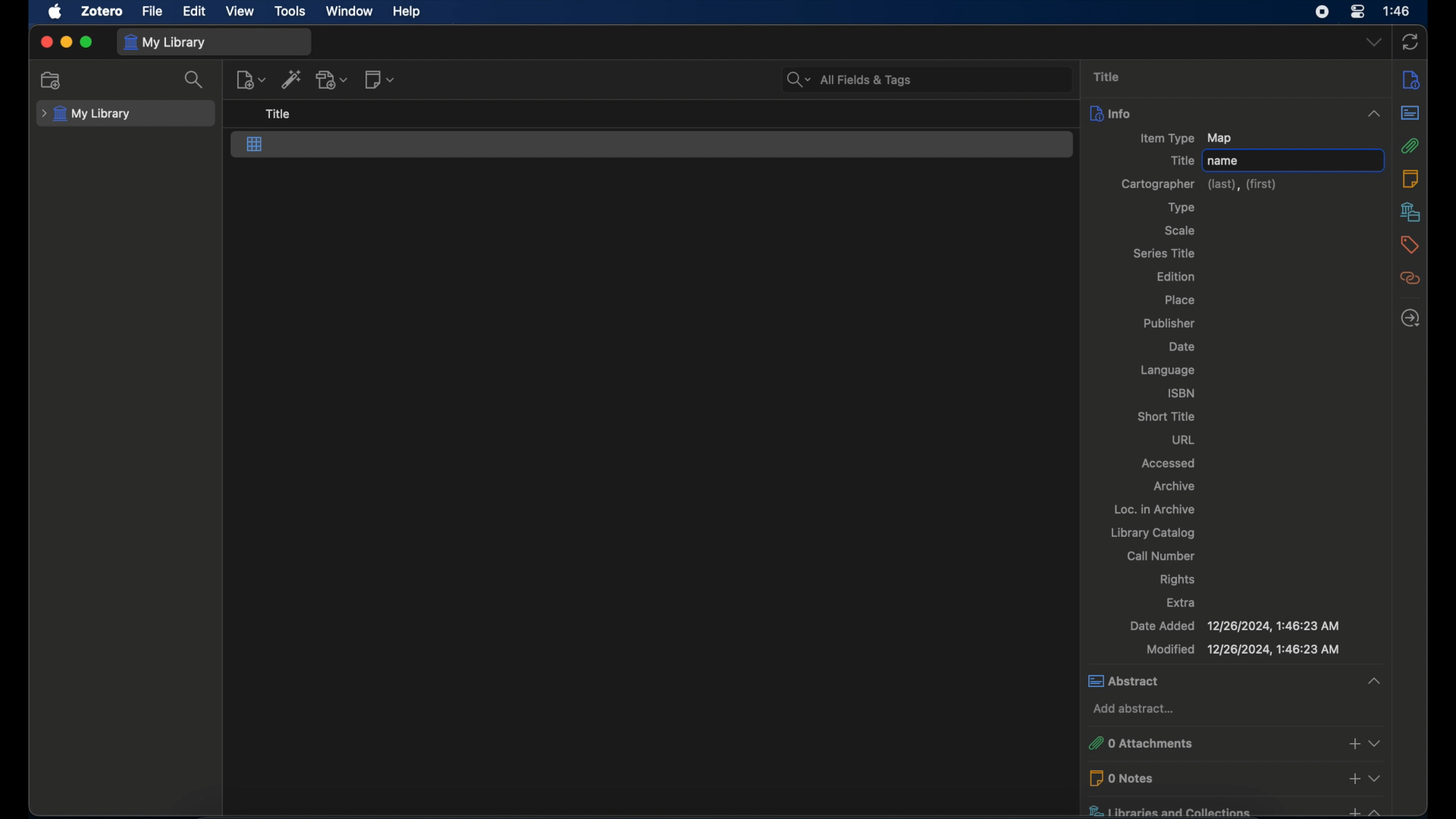 The image size is (1456, 819). I want to click on url, so click(1184, 438).